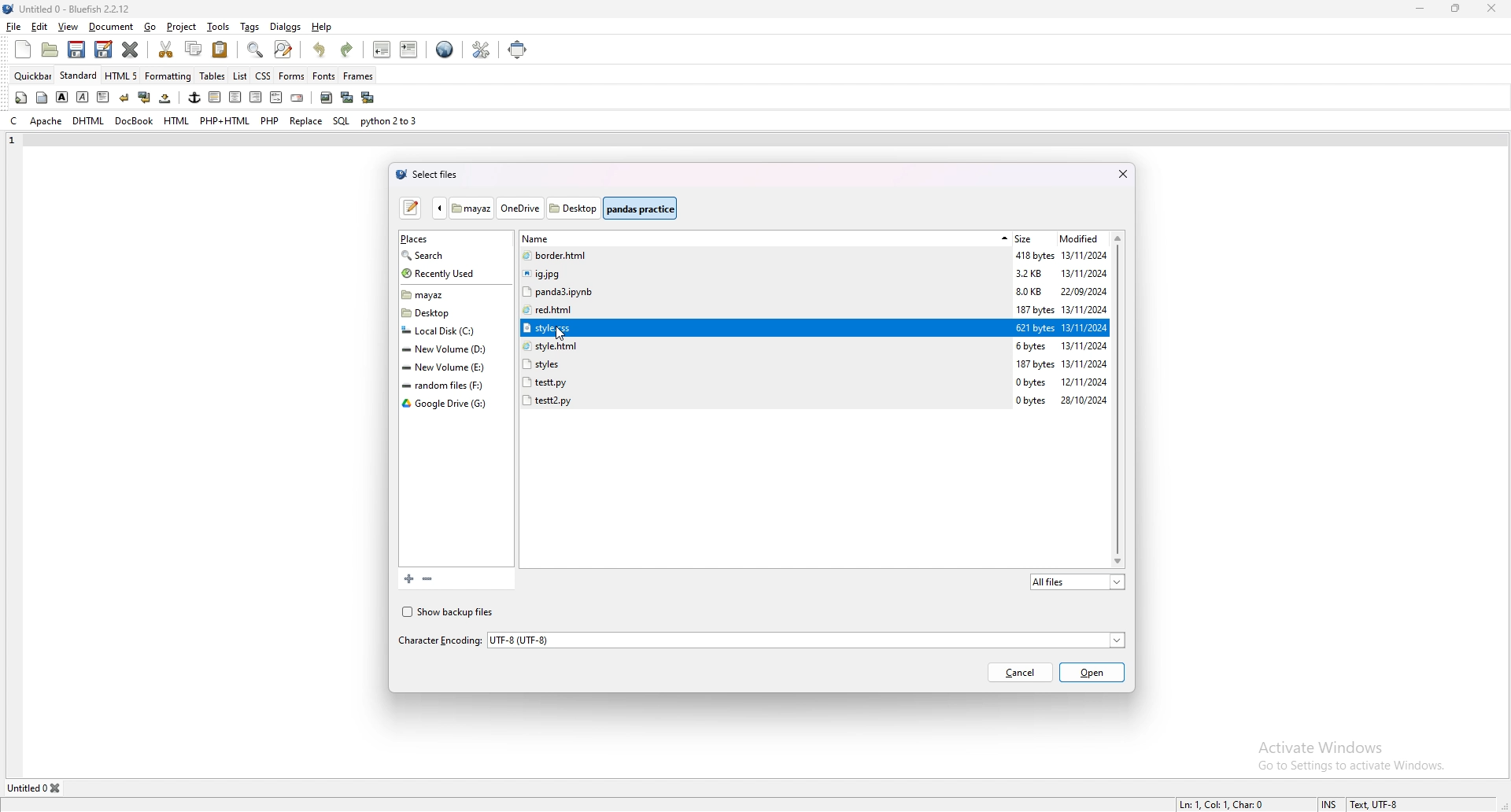 Image resolution: width=1511 pixels, height=812 pixels. I want to click on Activate Windows, so click(1324, 747).